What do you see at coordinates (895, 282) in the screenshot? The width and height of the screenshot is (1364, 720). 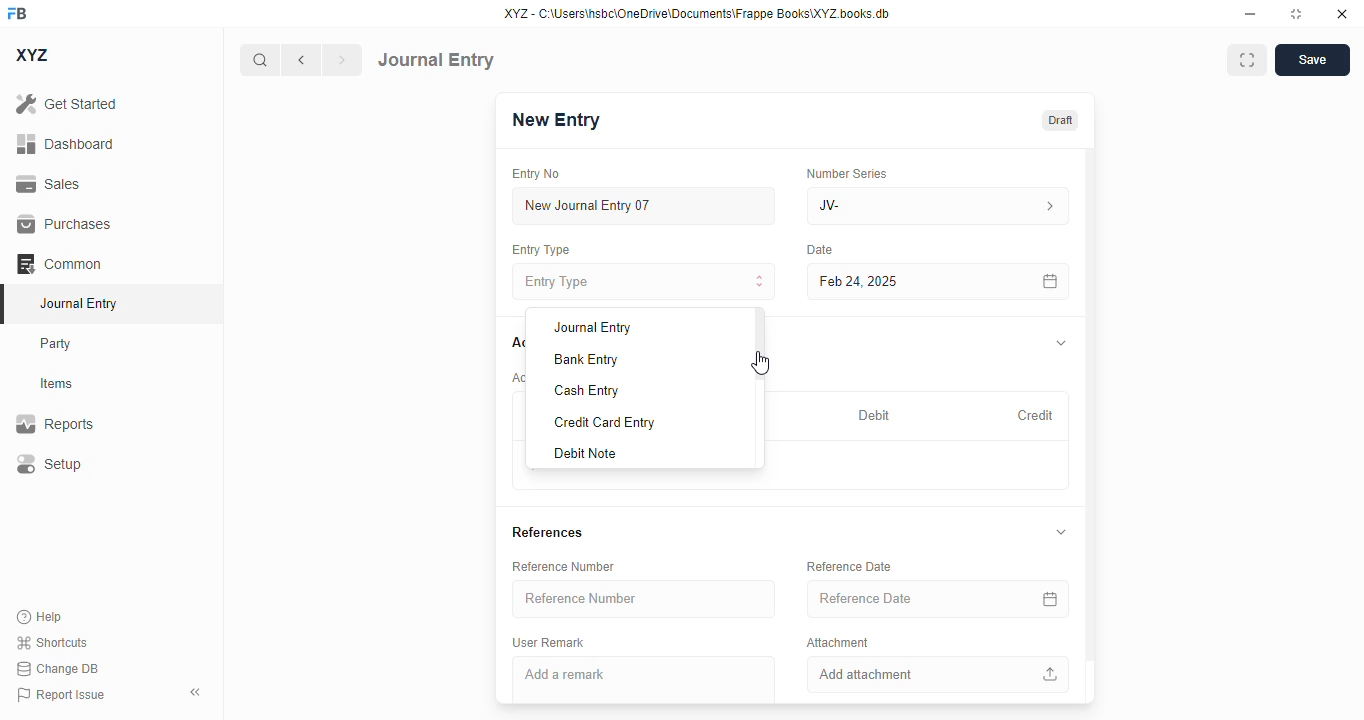 I see `feb 24, 2025` at bounding box center [895, 282].